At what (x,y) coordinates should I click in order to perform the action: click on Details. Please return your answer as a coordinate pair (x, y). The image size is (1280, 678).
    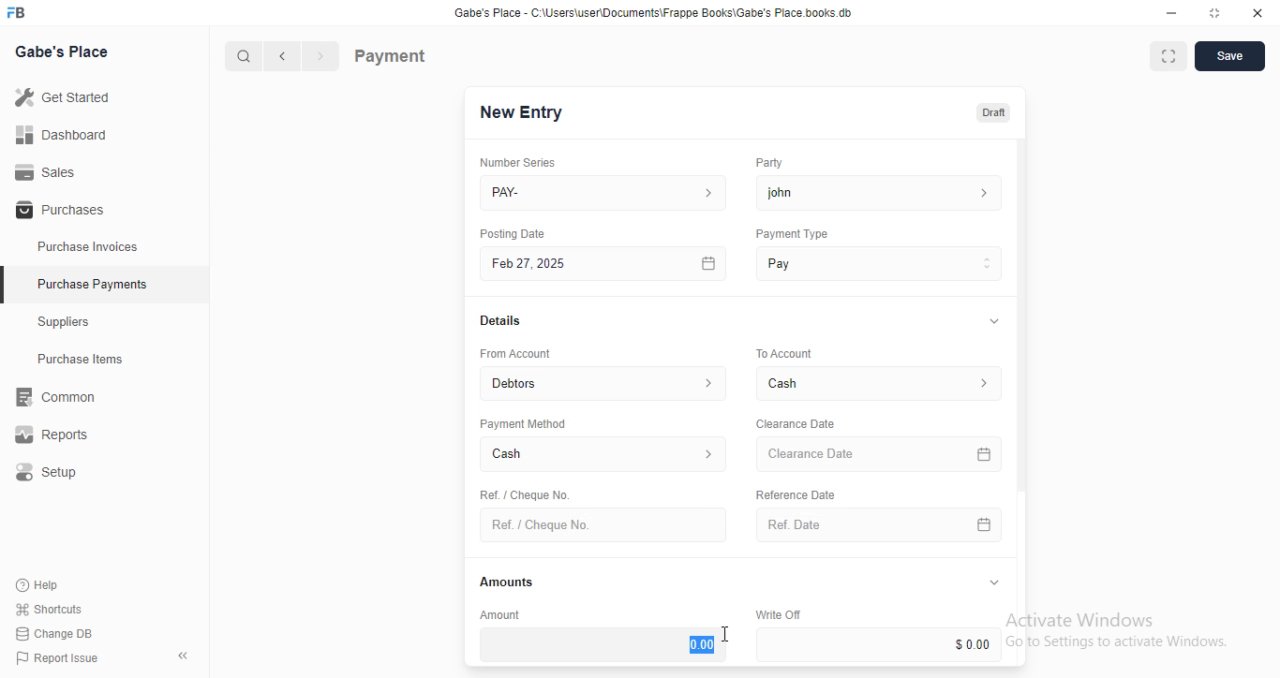
    Looking at the image, I should click on (498, 321).